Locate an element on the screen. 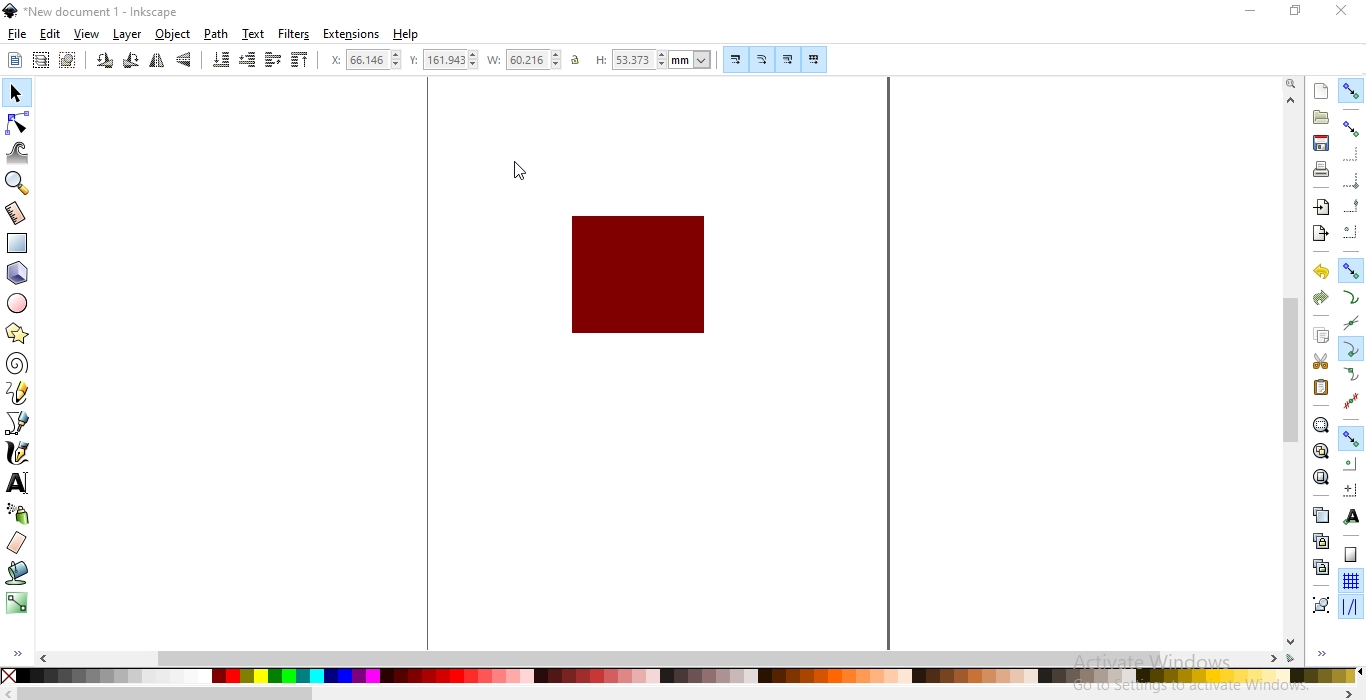  file is located at coordinates (18, 35).